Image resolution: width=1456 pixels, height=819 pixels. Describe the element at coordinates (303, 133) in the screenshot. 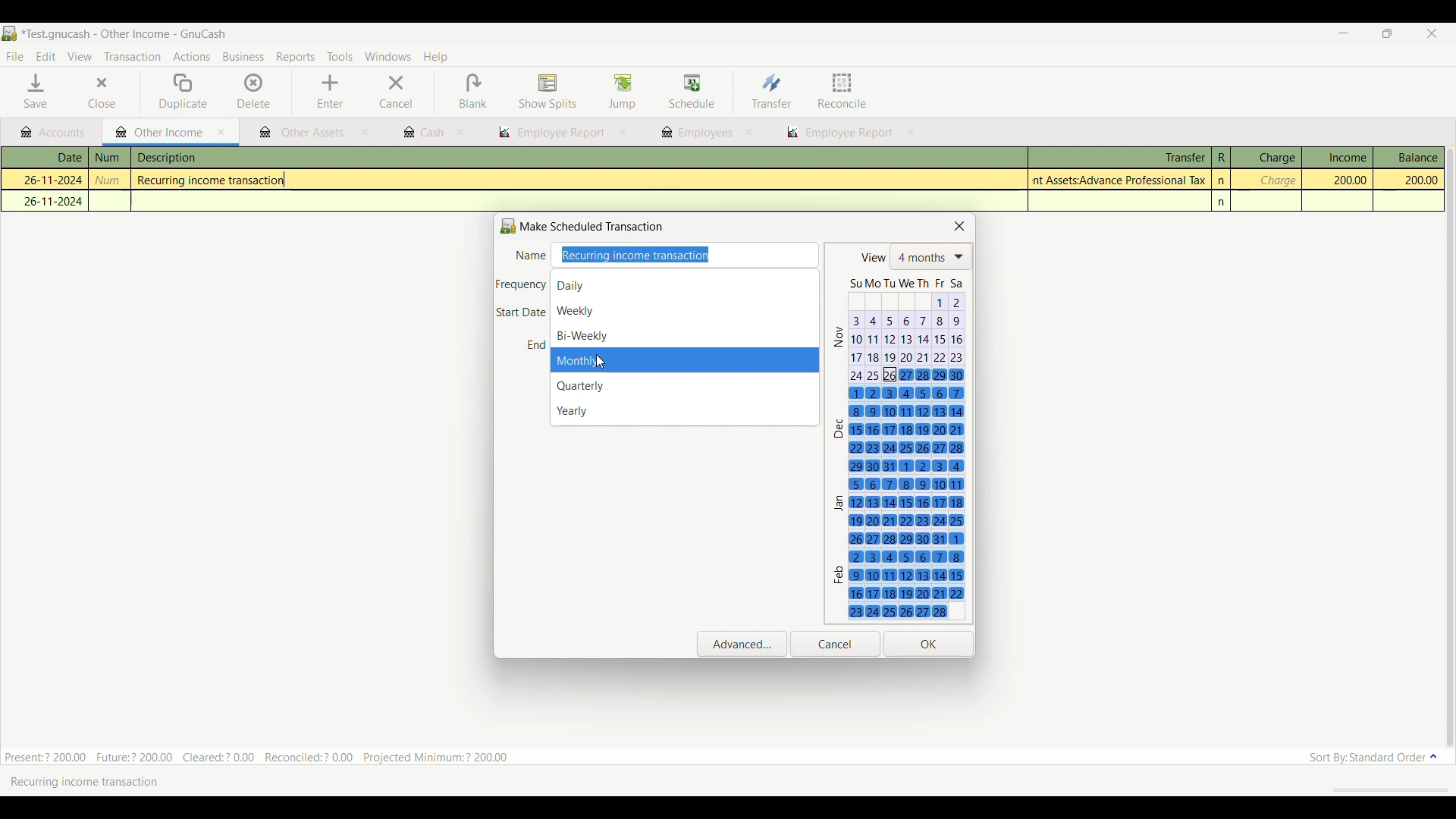

I see `other assets` at that location.